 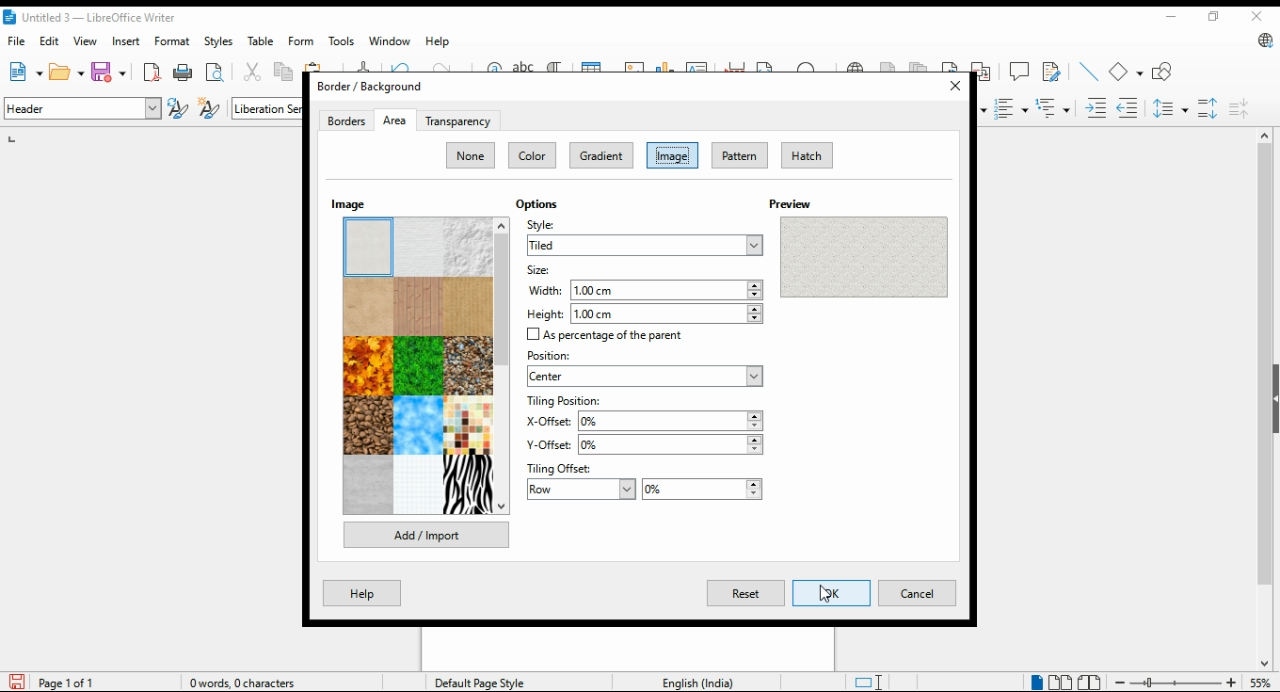 I want to click on print, so click(x=184, y=72).